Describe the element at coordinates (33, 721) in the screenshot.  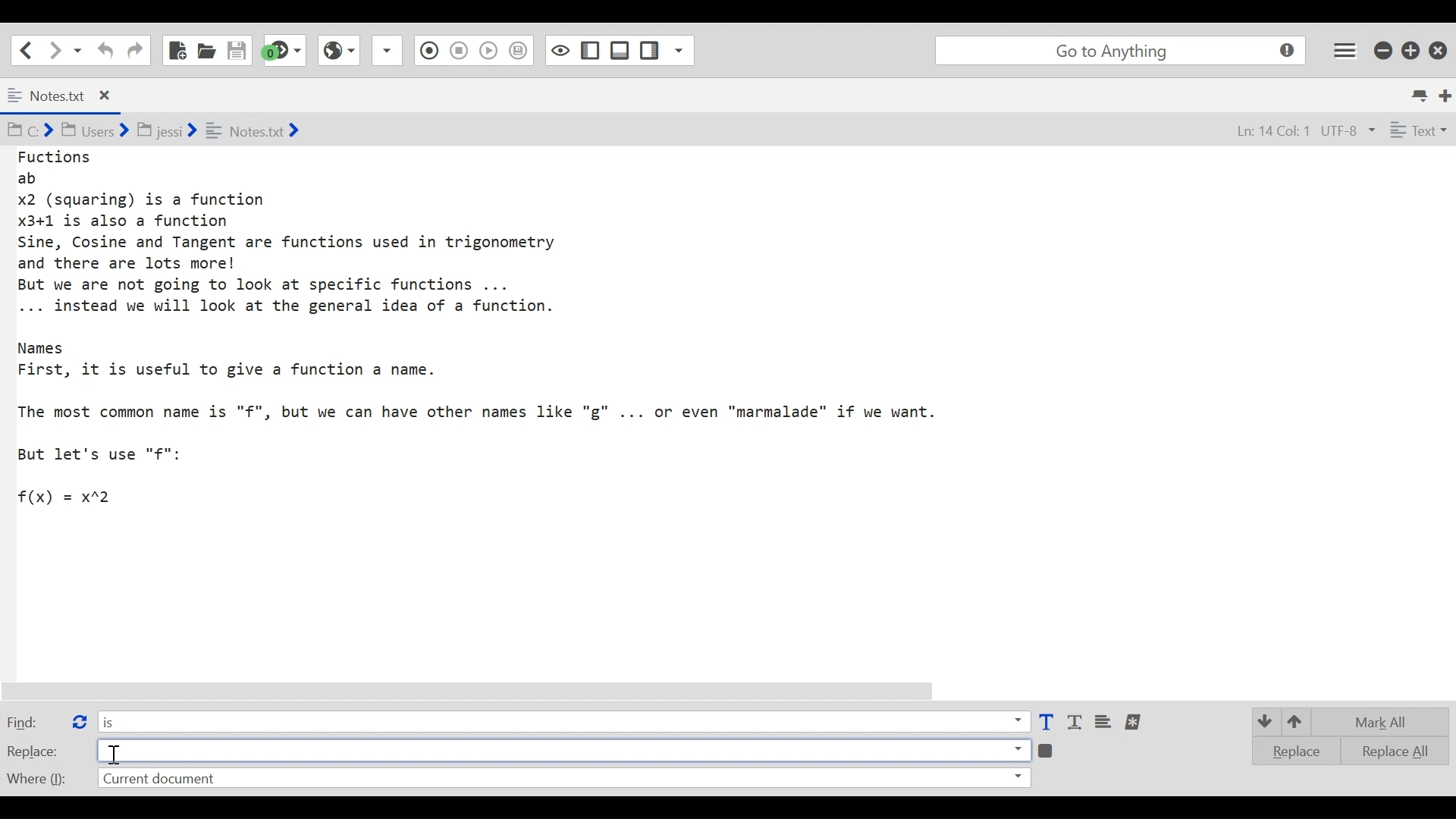
I see `Find` at that location.